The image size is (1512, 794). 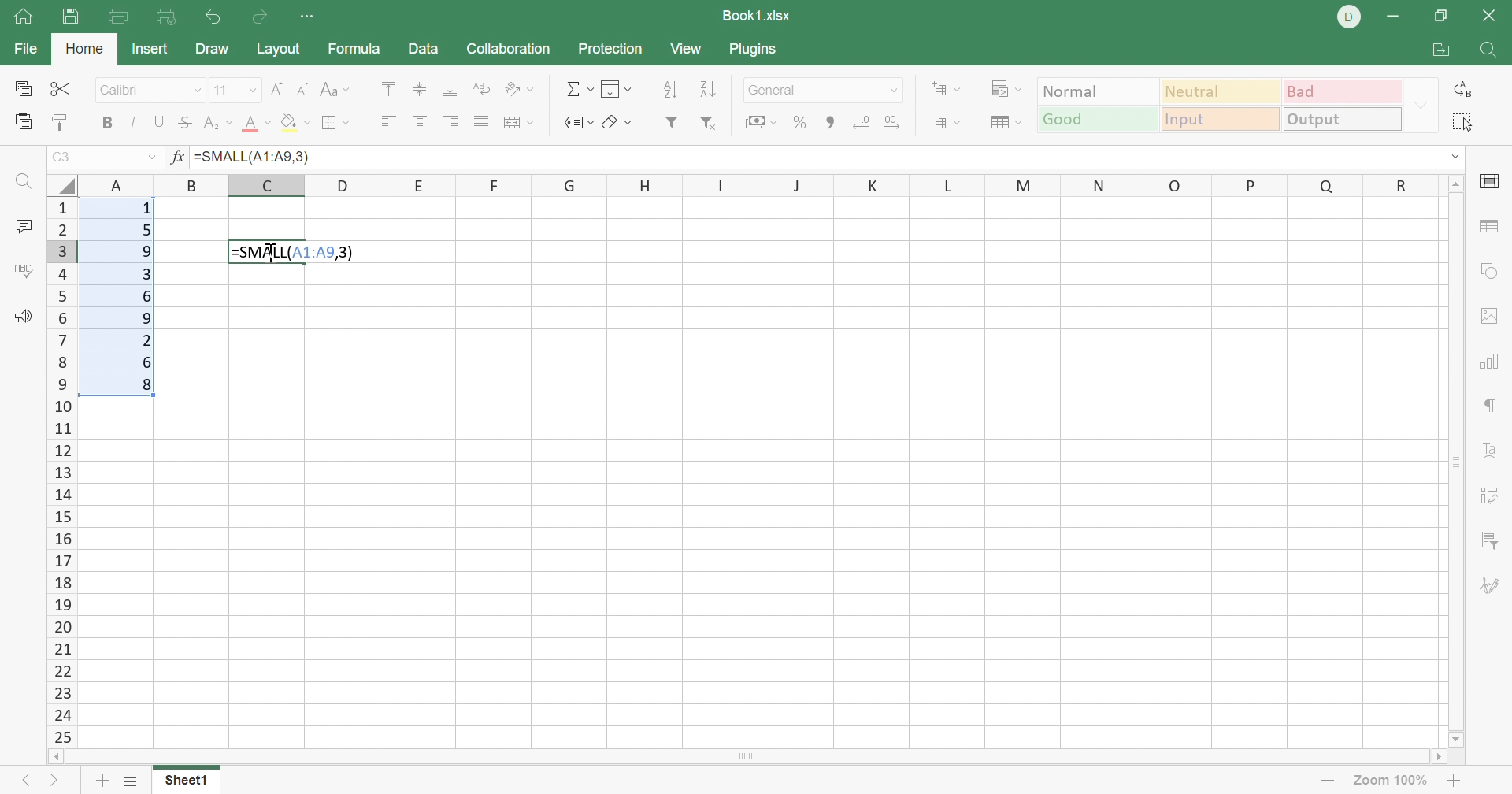 I want to click on Scroll bar, so click(x=747, y=756).